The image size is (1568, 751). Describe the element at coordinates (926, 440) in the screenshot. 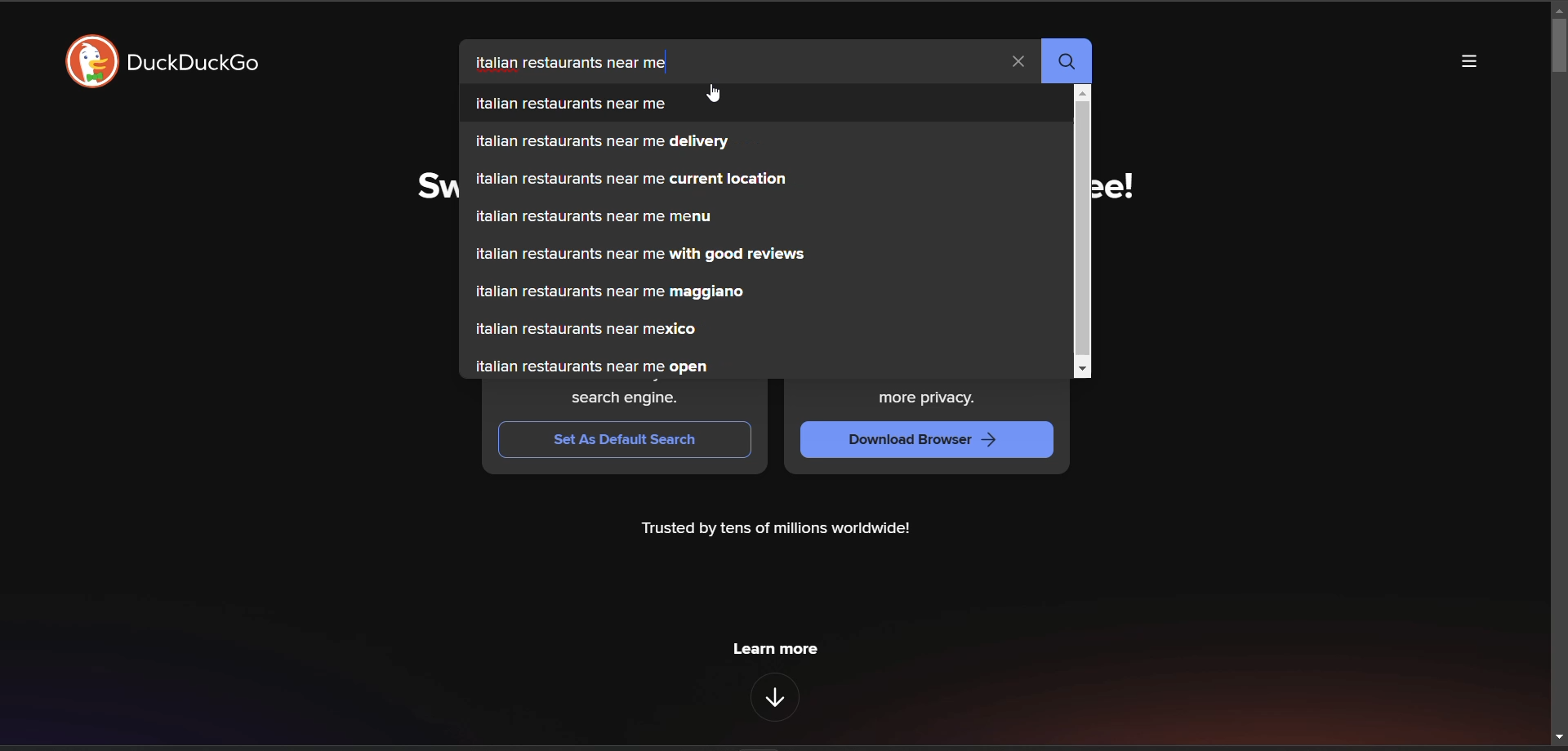

I see `Download Browser` at that location.